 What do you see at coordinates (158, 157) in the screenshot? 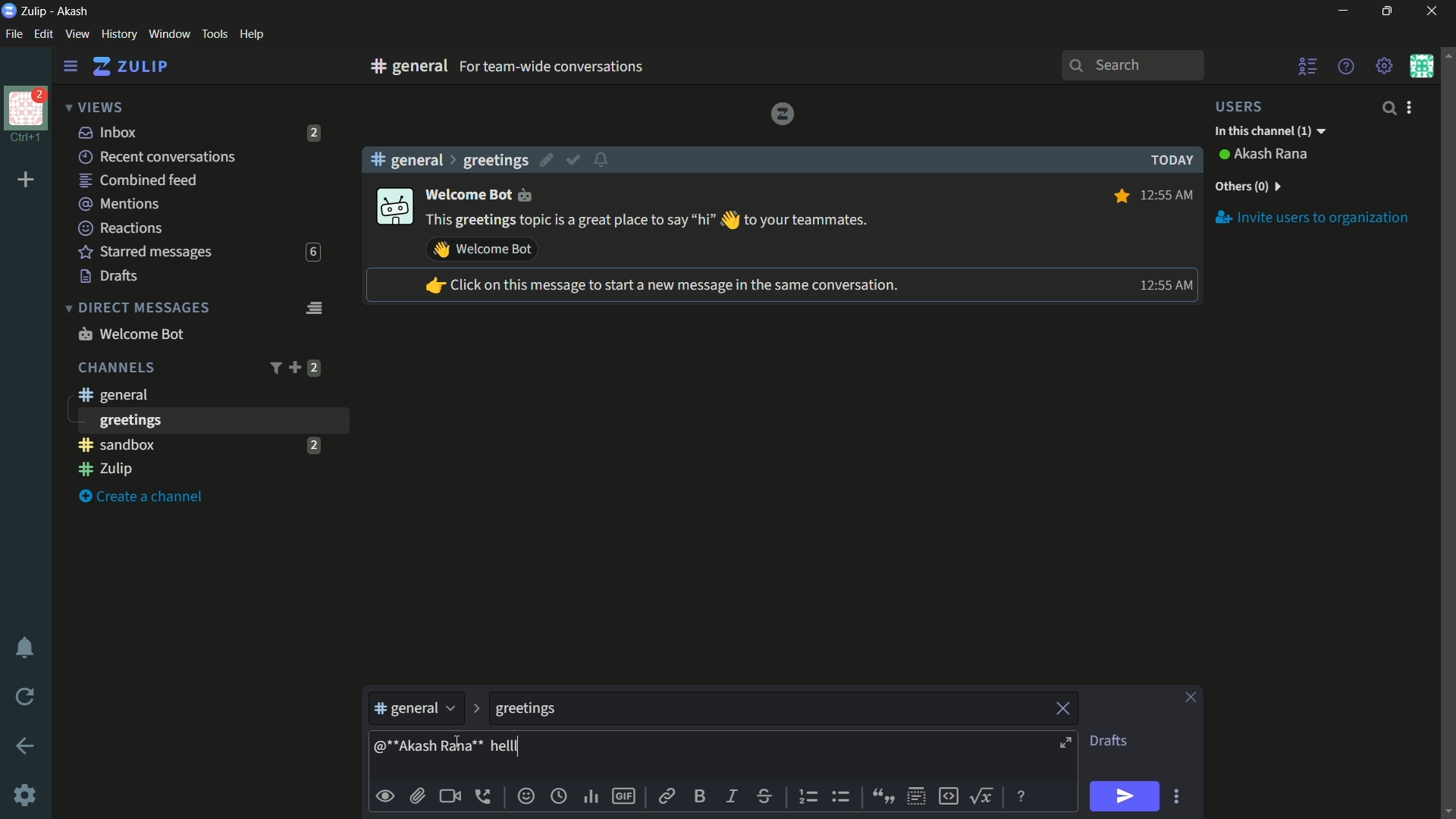
I see `recent conversation` at bounding box center [158, 157].